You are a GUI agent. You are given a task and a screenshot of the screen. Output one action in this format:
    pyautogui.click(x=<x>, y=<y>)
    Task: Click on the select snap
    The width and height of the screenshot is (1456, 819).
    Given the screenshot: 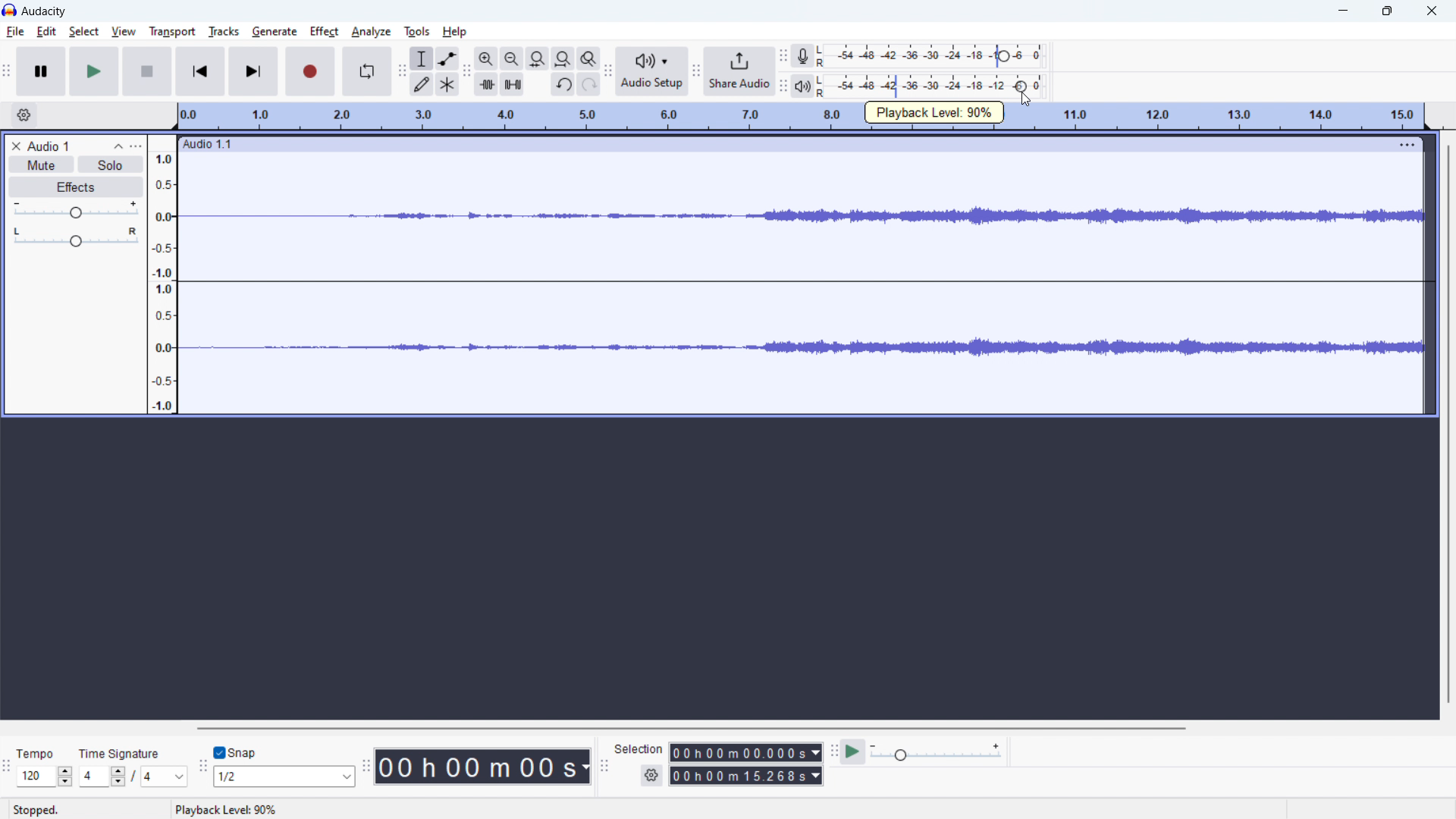 What is the action you would take?
    pyautogui.click(x=284, y=776)
    